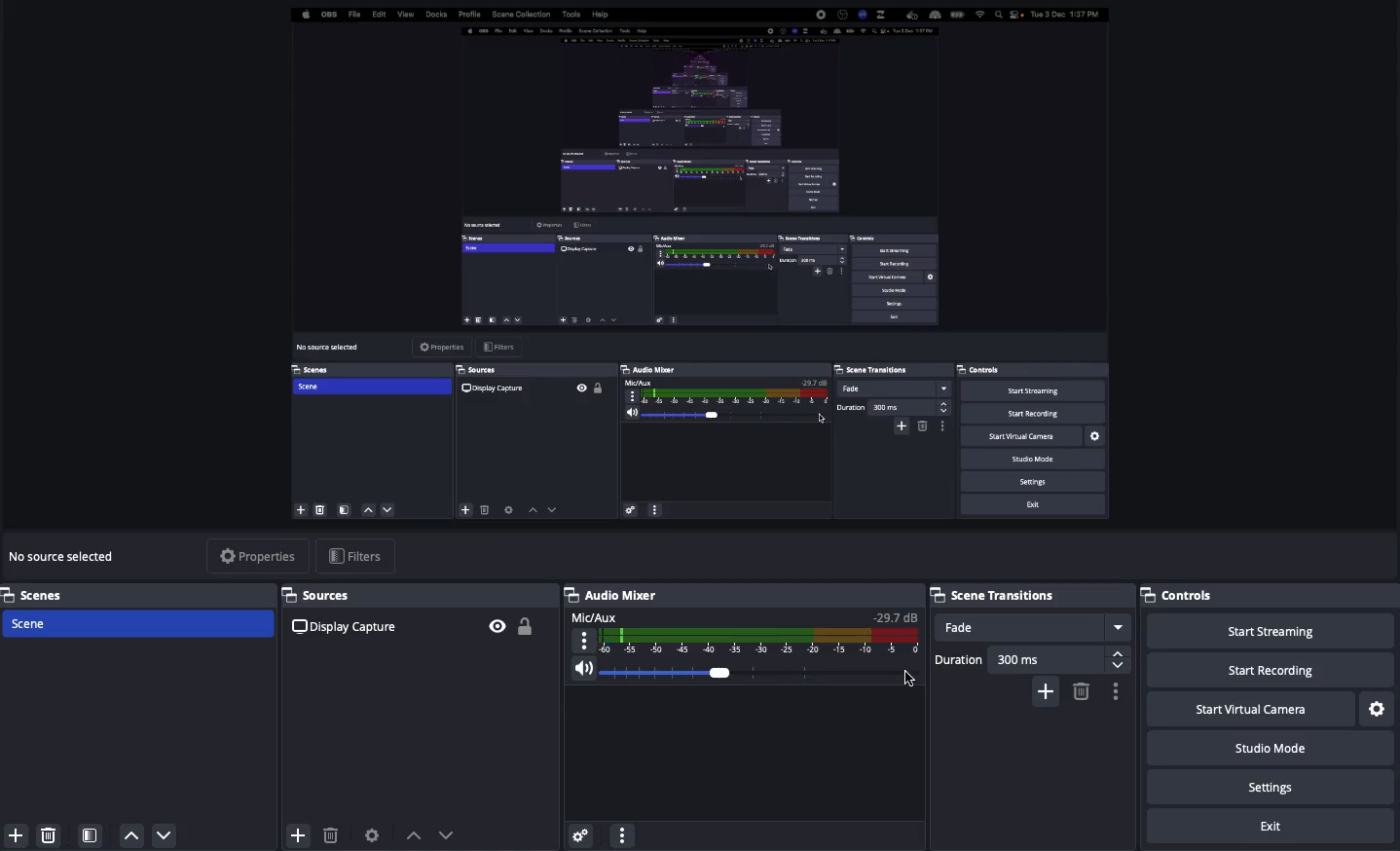 The height and width of the screenshot is (851, 1400). What do you see at coordinates (13, 835) in the screenshot?
I see `Add` at bounding box center [13, 835].